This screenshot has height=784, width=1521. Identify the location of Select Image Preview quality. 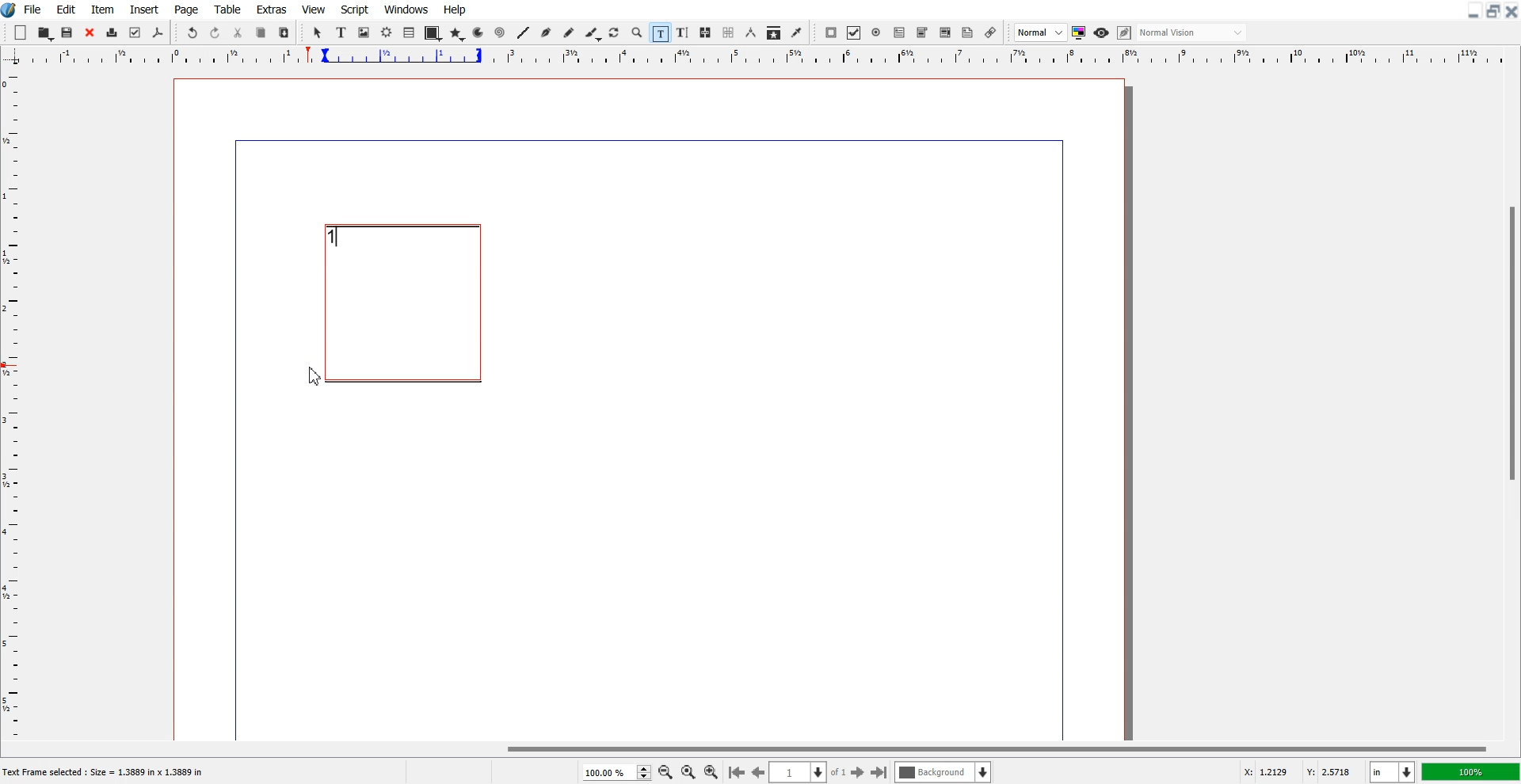
(1041, 32).